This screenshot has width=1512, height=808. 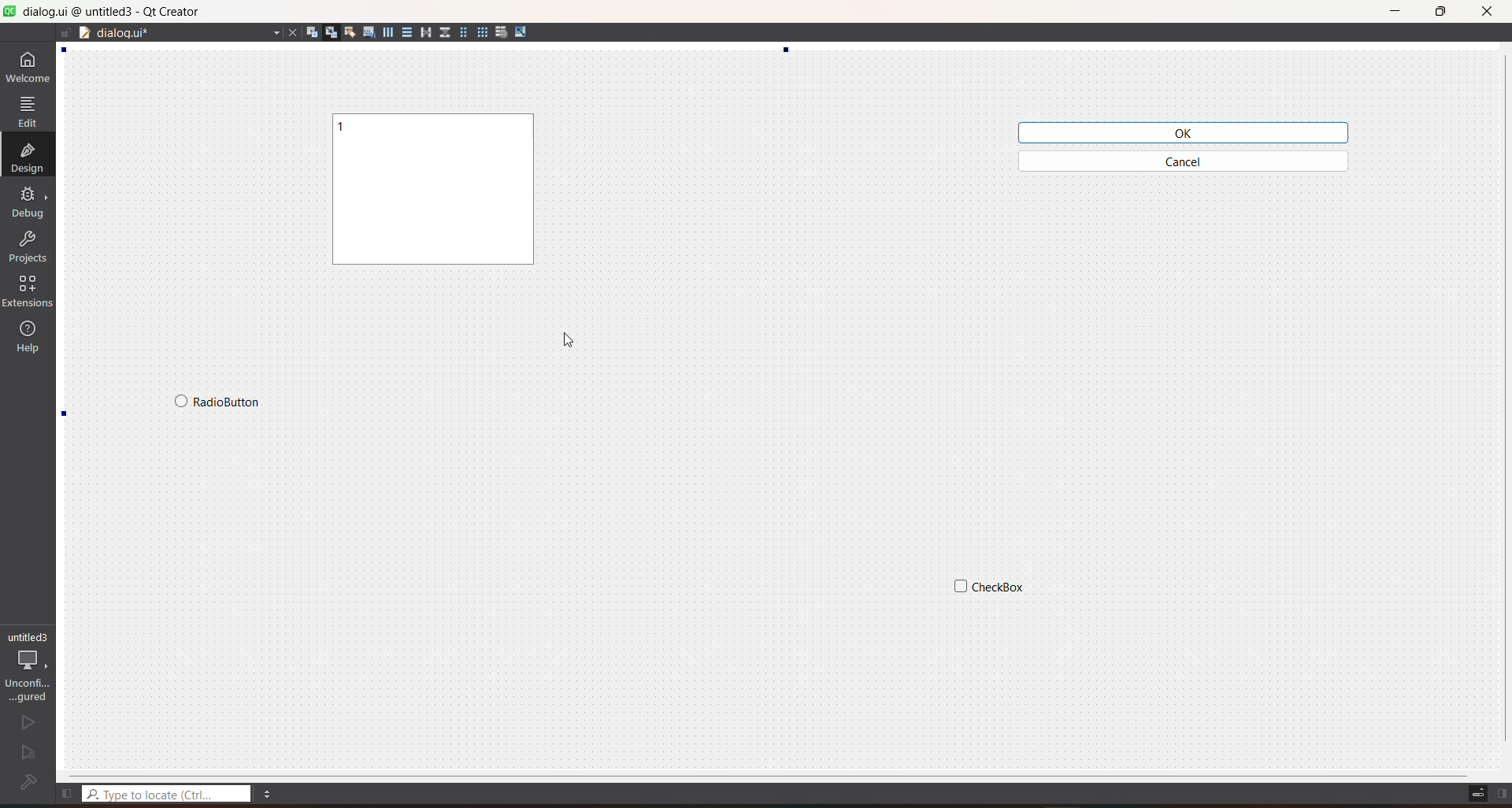 What do you see at coordinates (573, 337) in the screenshot?
I see `cursor` at bounding box center [573, 337].